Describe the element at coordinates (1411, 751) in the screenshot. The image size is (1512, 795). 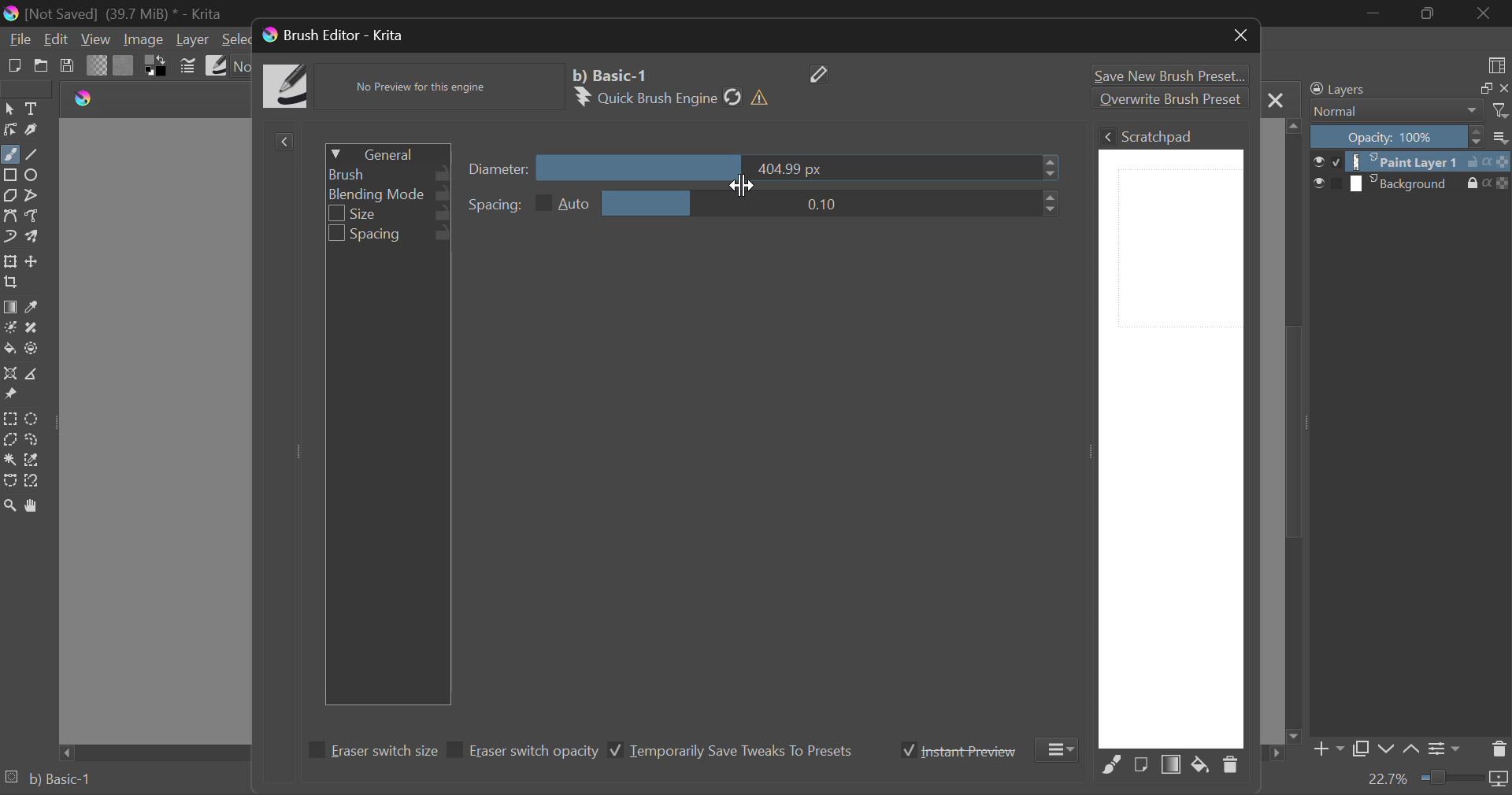
I see `Move Layer Up` at that location.